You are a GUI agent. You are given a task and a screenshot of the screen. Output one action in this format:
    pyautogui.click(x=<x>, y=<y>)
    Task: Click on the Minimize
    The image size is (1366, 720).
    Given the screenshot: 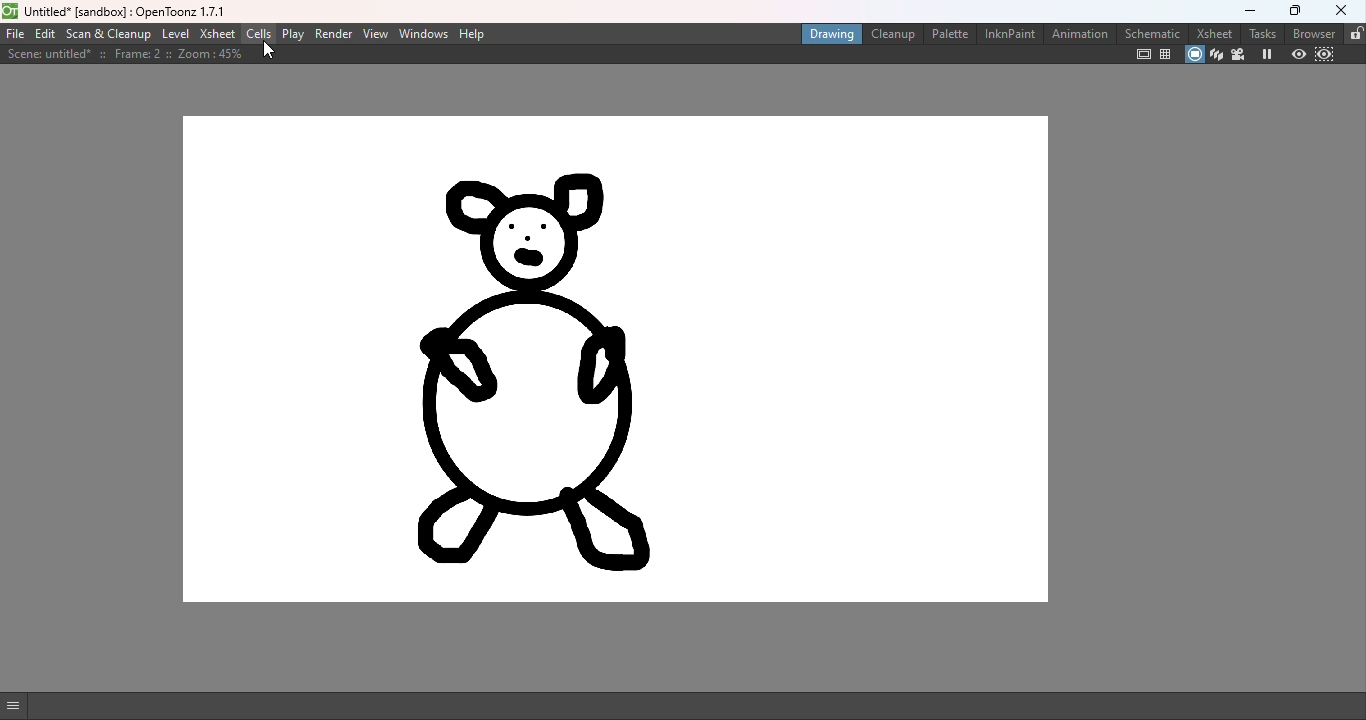 What is the action you would take?
    pyautogui.click(x=1250, y=9)
    